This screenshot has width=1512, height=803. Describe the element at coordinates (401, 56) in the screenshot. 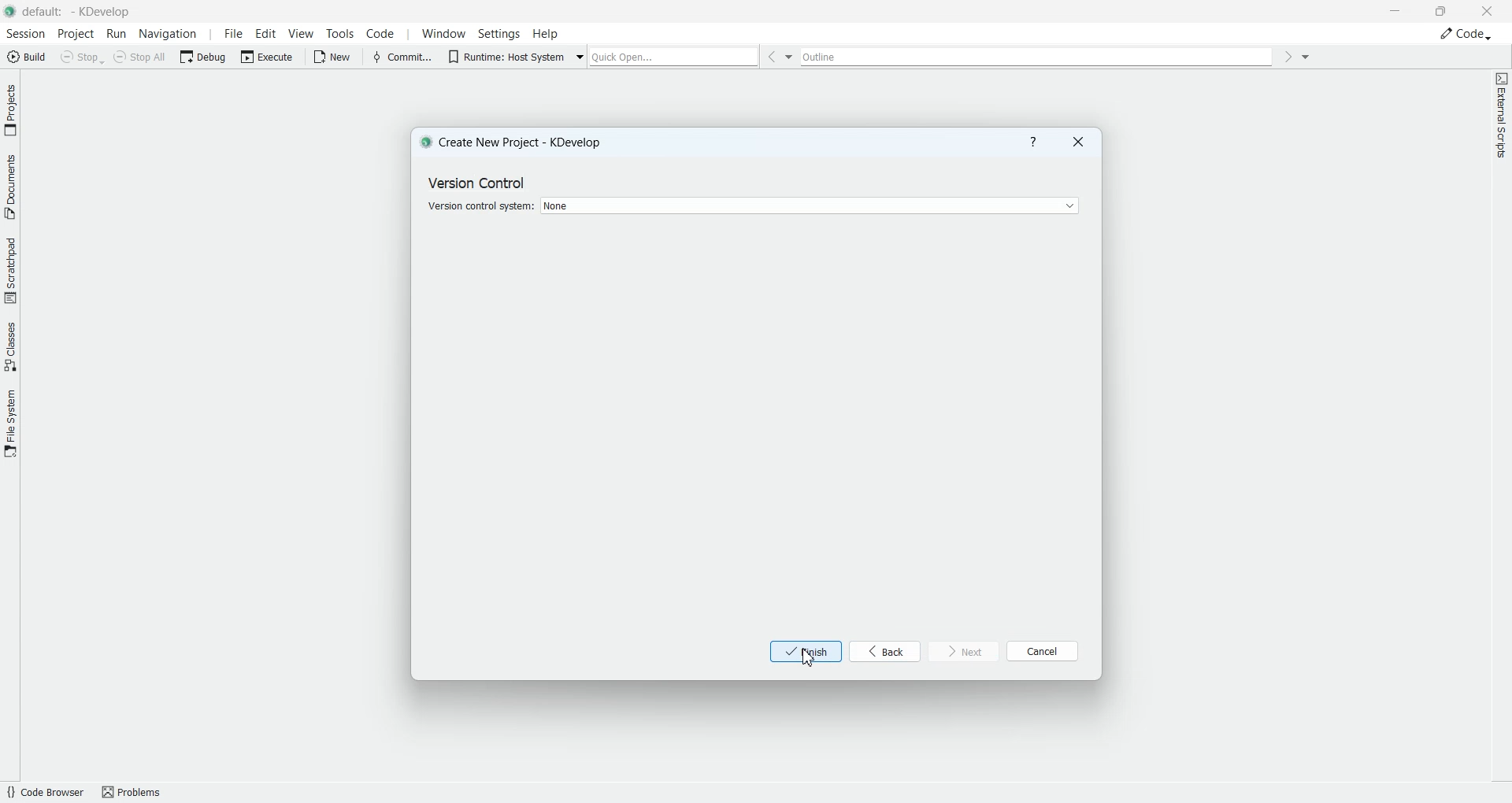

I see `Commit` at that location.